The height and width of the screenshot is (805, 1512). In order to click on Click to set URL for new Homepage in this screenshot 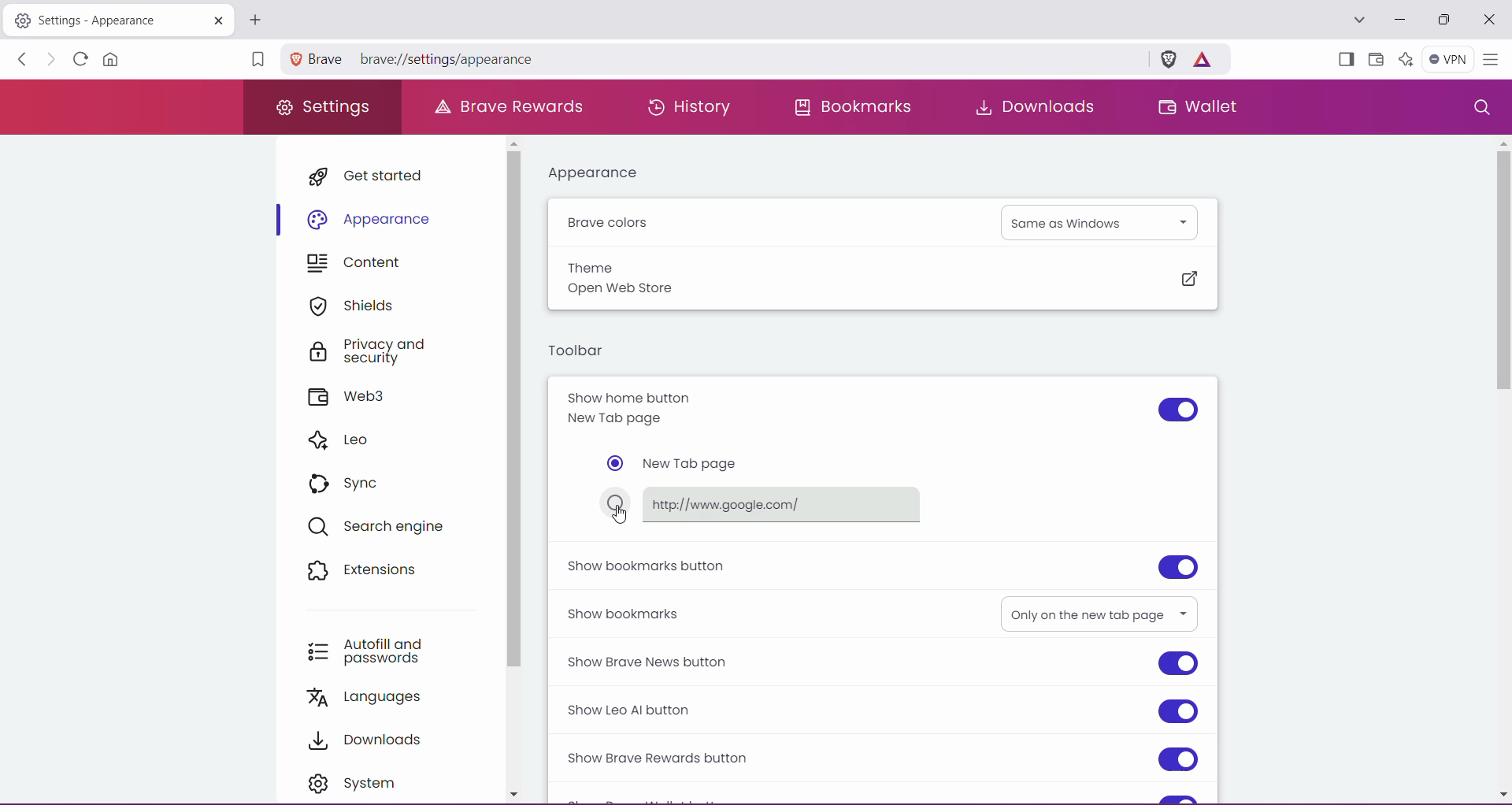, I will do `click(769, 505)`.